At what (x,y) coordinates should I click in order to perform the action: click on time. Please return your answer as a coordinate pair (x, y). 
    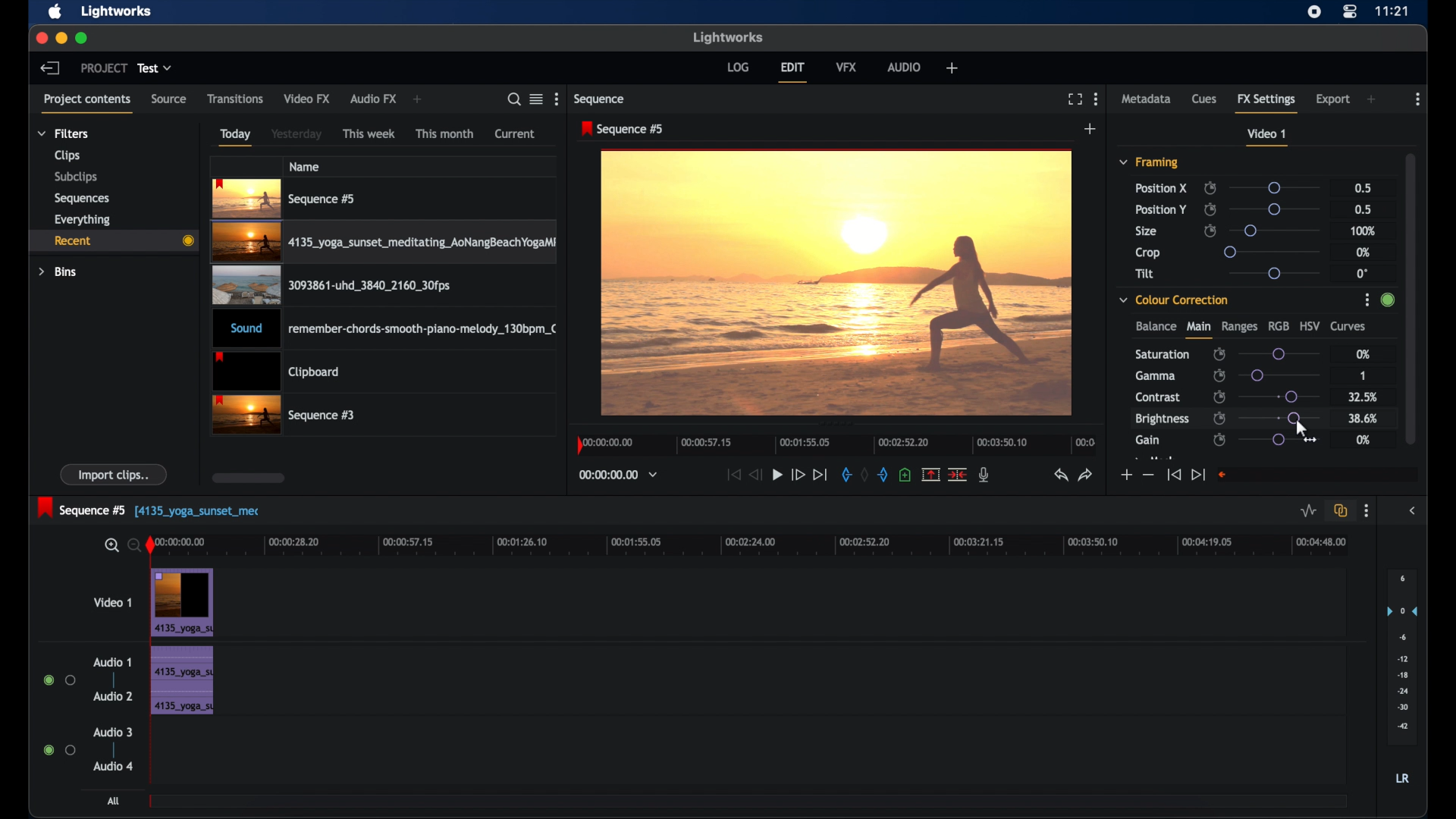
    Looking at the image, I should click on (1392, 11).